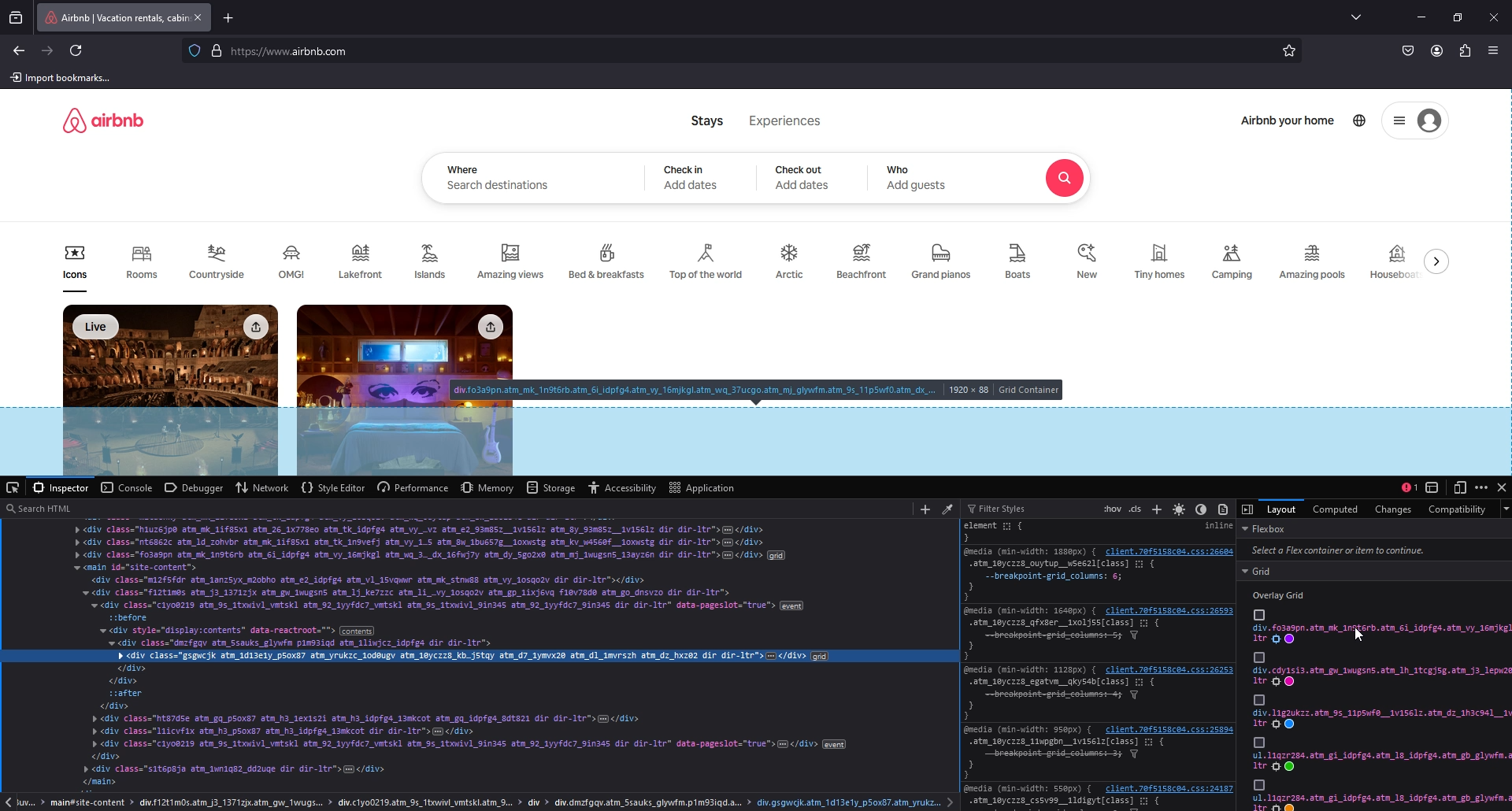 The image size is (1512, 811). What do you see at coordinates (1089, 261) in the screenshot?
I see `new` at bounding box center [1089, 261].